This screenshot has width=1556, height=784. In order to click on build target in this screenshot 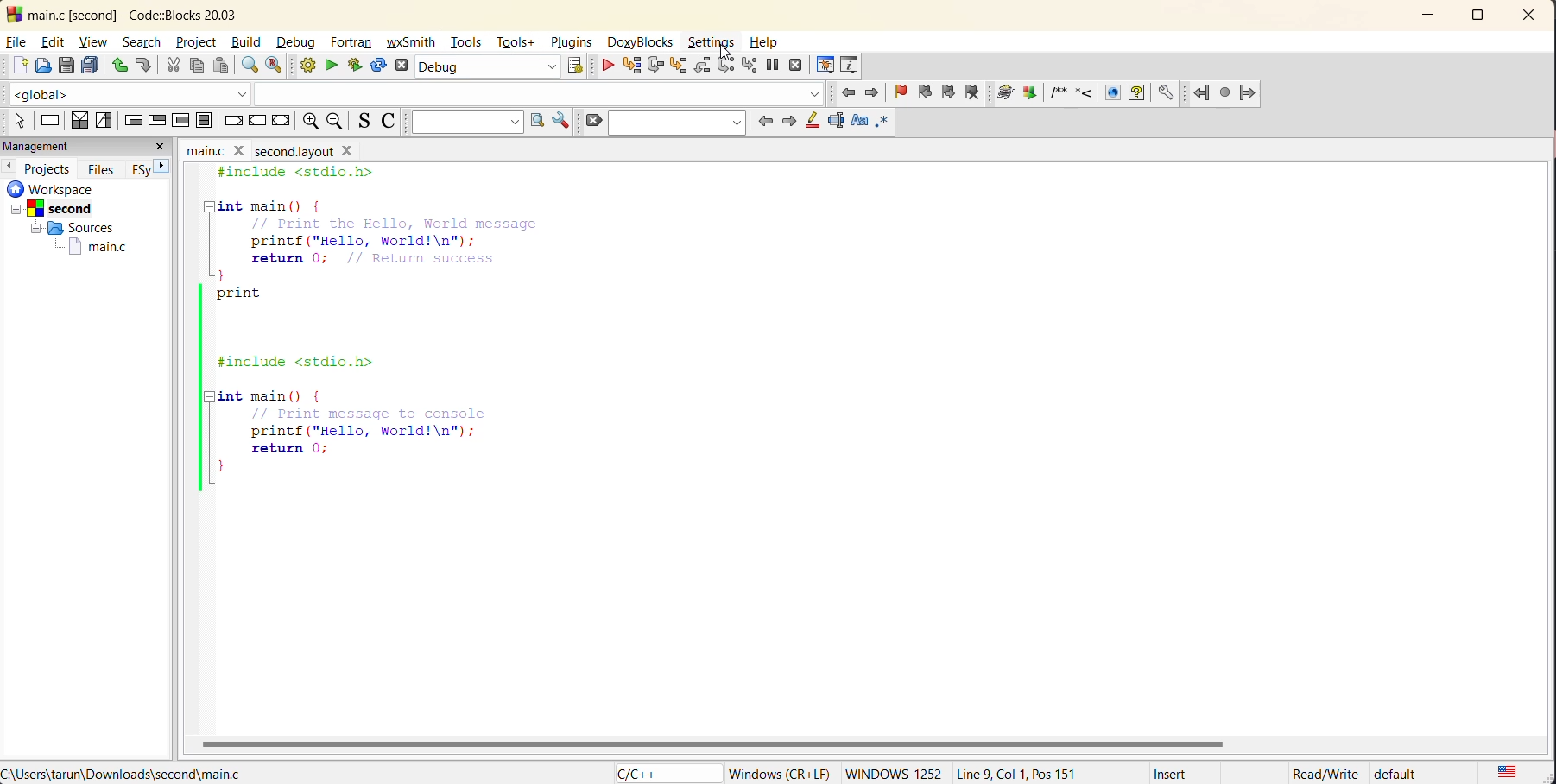, I will do `click(489, 68)`.